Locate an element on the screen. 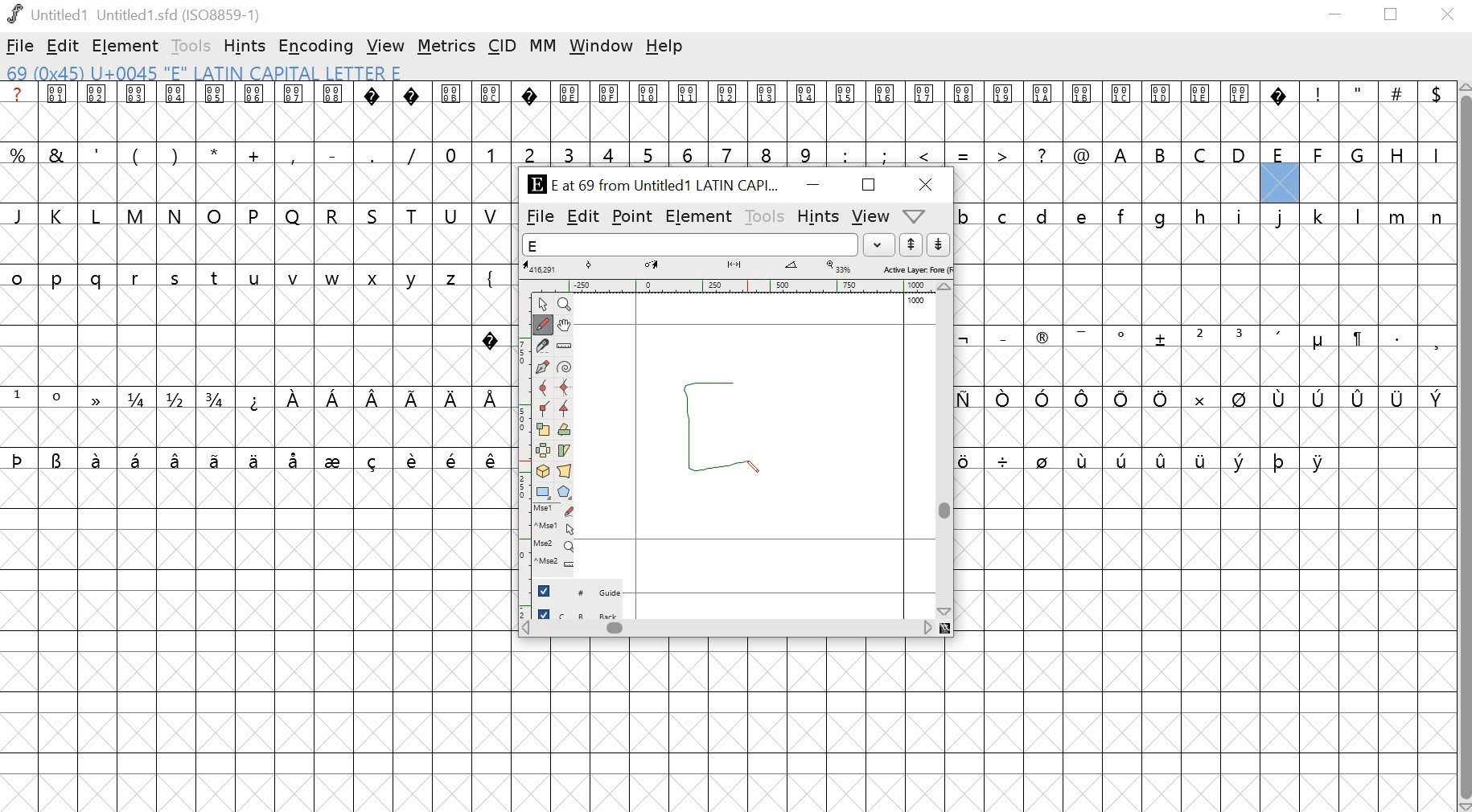 Image resolution: width=1472 pixels, height=812 pixels. Curve is located at coordinates (544, 388).